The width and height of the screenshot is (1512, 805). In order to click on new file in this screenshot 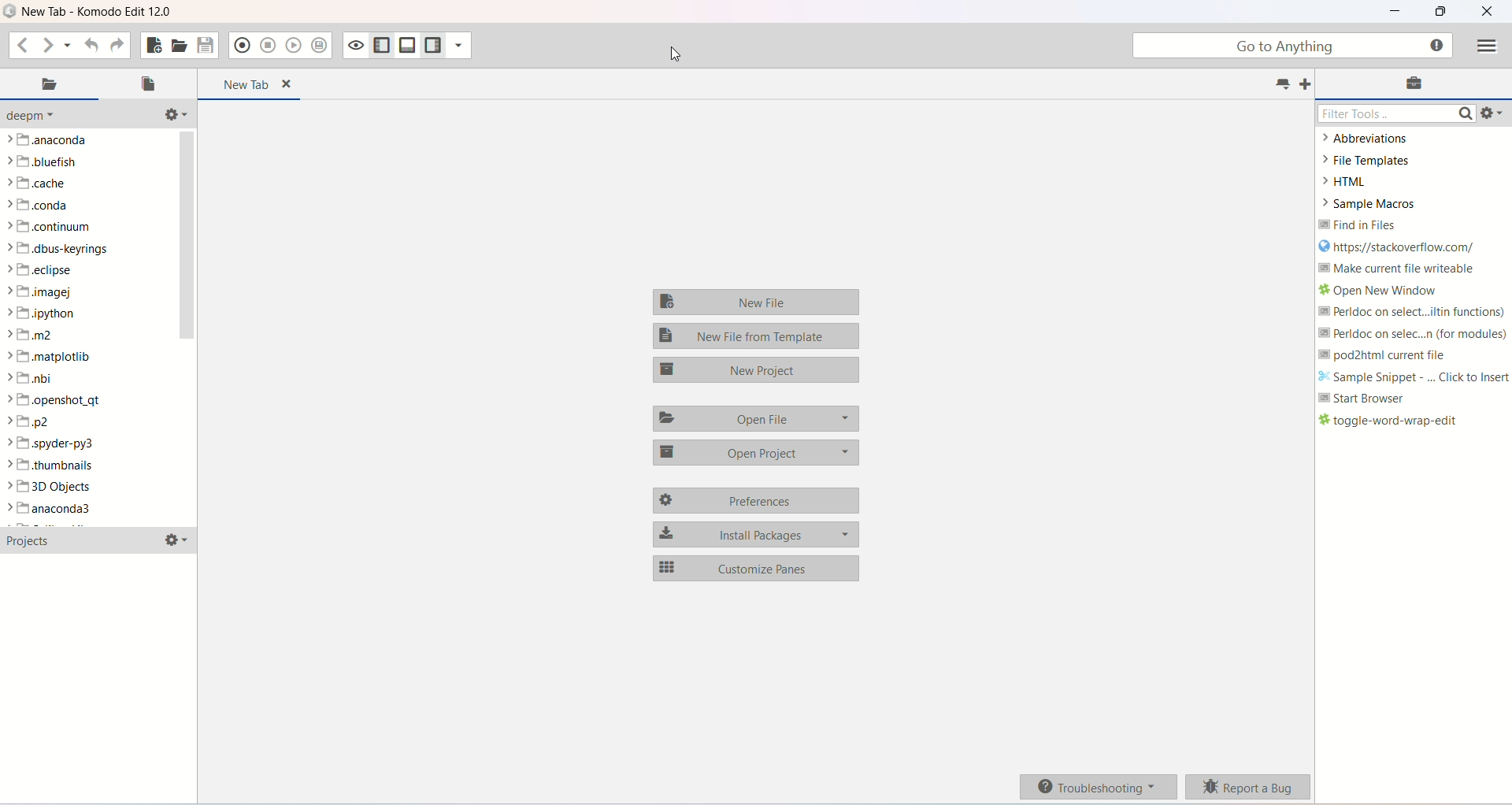, I will do `click(151, 45)`.